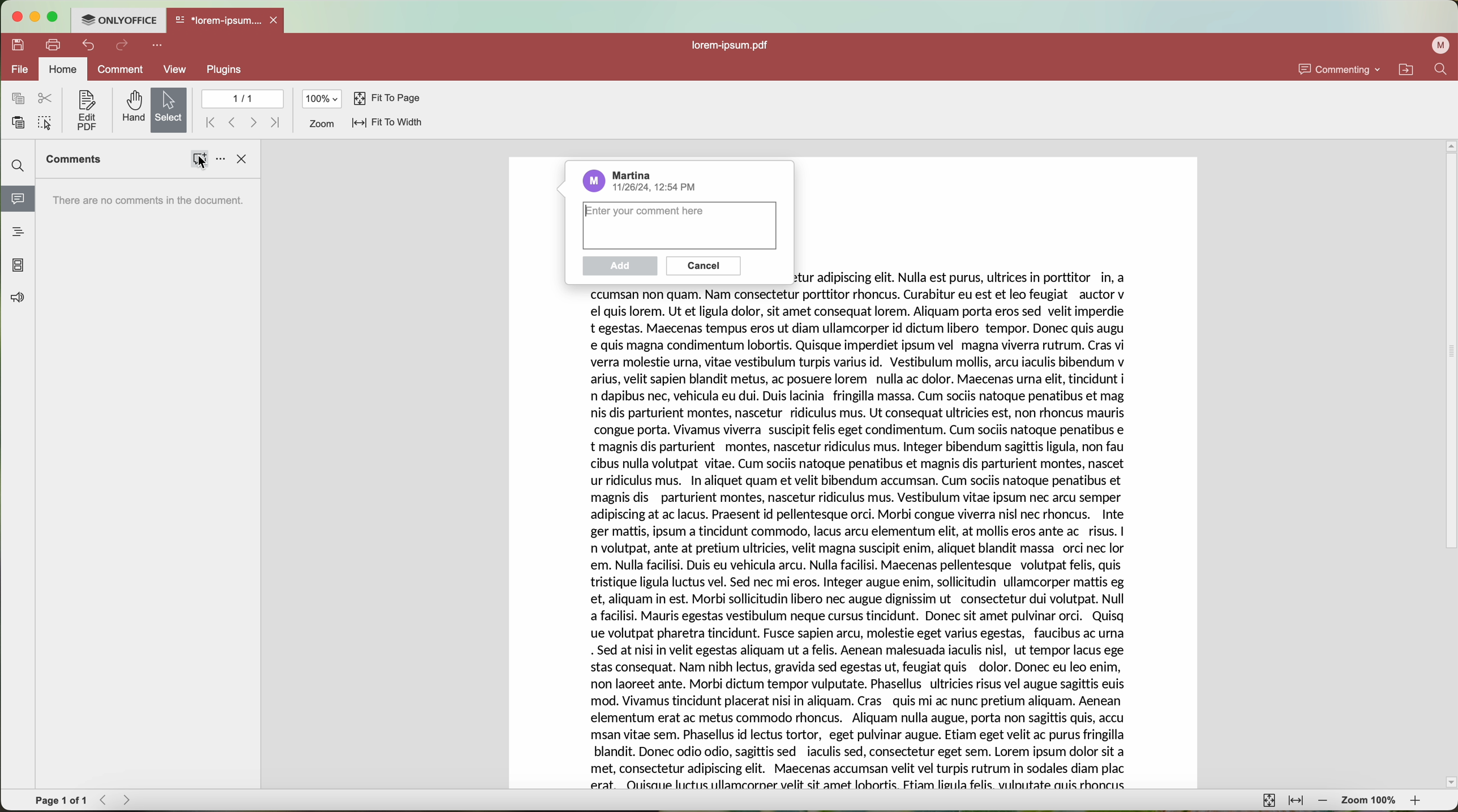  What do you see at coordinates (63, 68) in the screenshot?
I see `home` at bounding box center [63, 68].